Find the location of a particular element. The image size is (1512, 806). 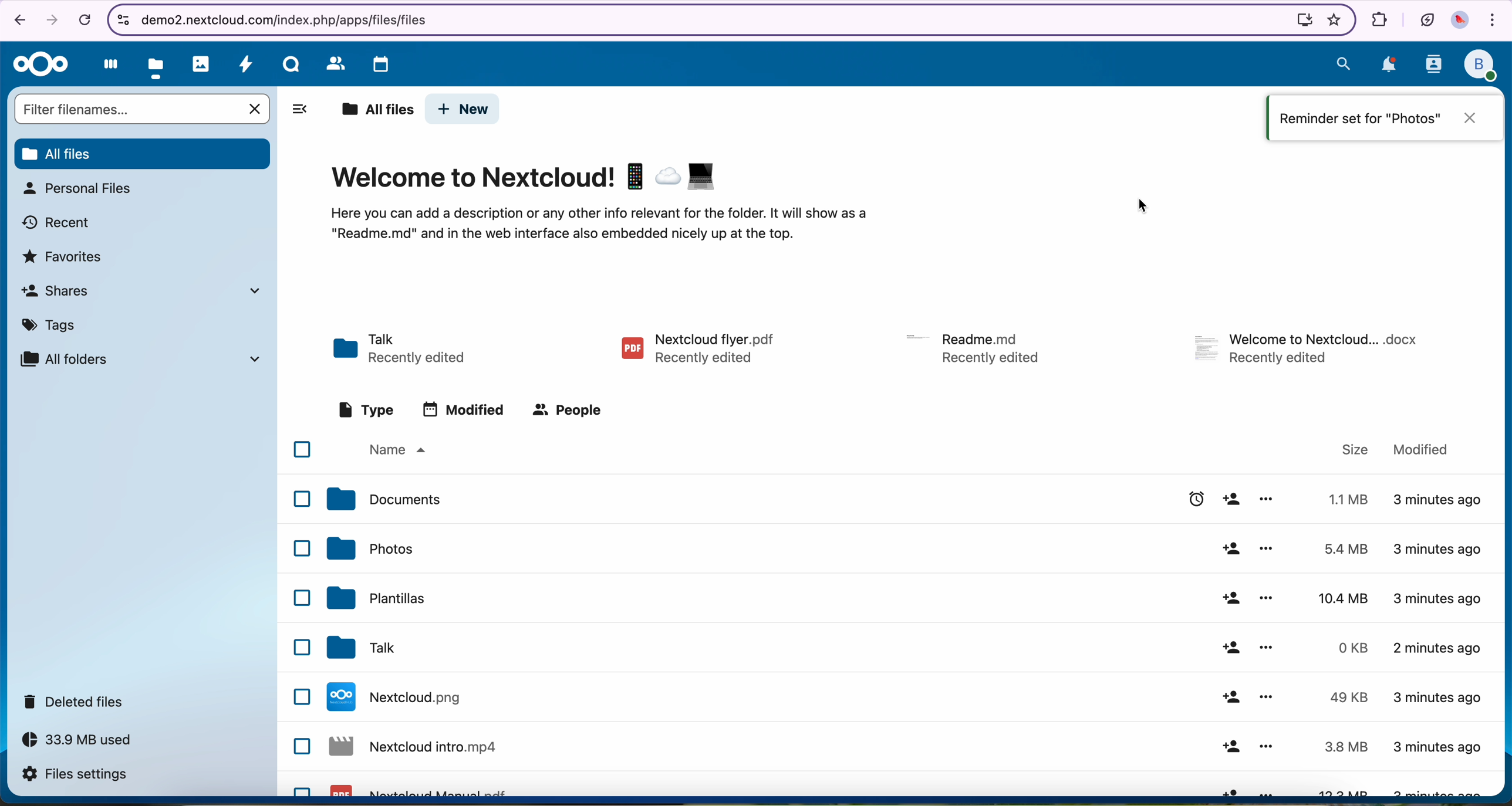

dashboard is located at coordinates (107, 63).